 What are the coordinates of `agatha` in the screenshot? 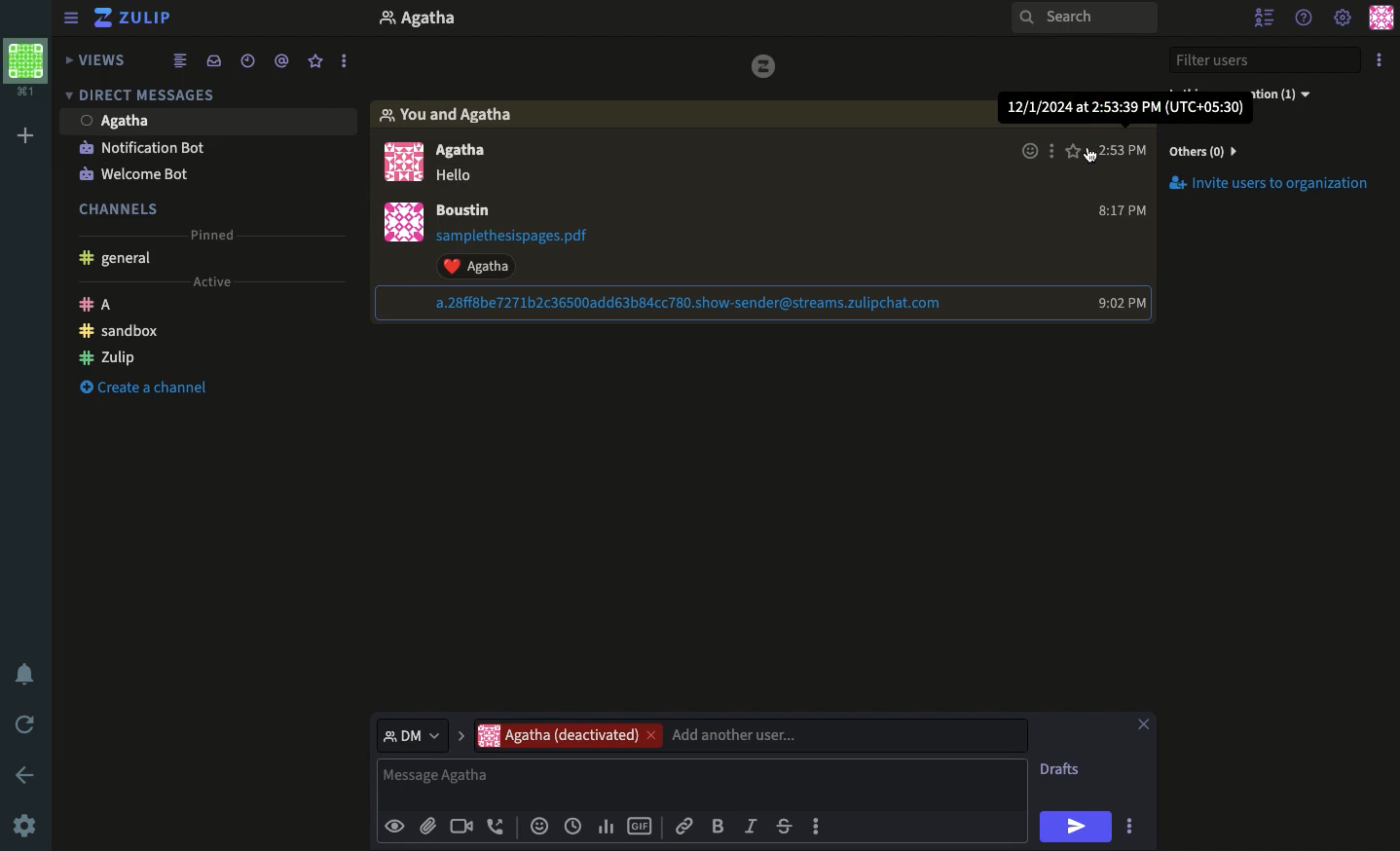 It's located at (557, 735).